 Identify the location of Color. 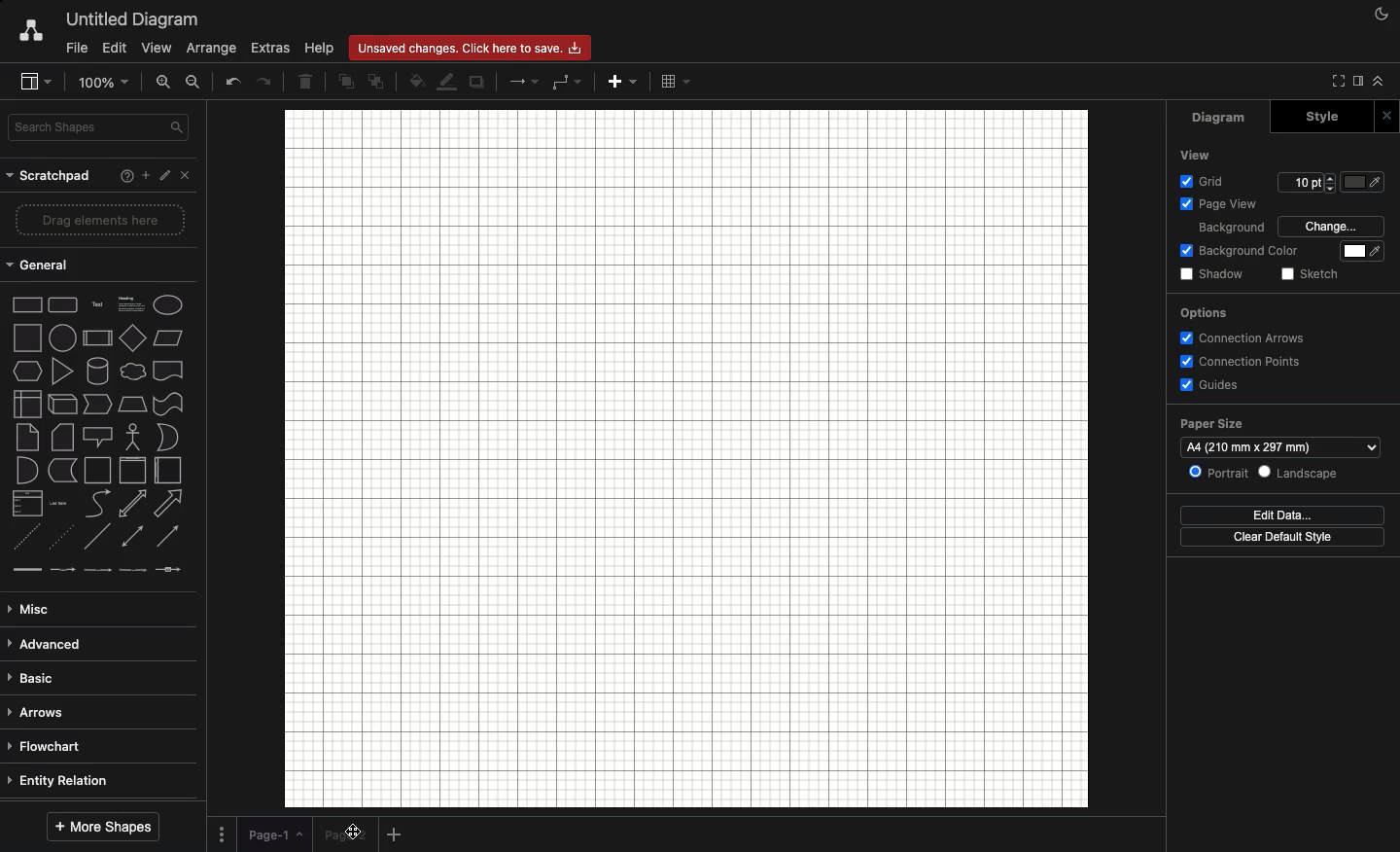
(1363, 185).